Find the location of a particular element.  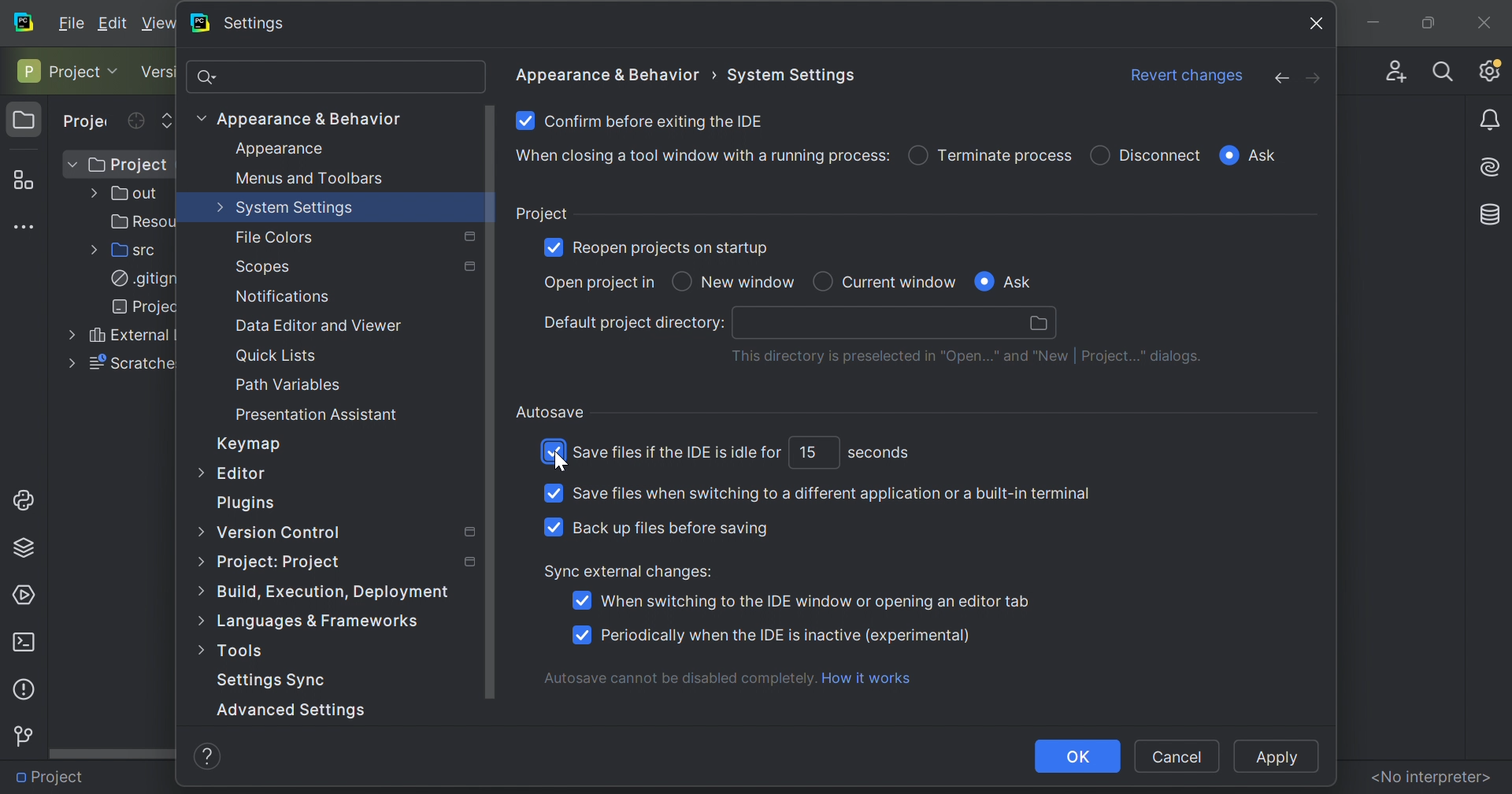

Plugins is located at coordinates (250, 503).